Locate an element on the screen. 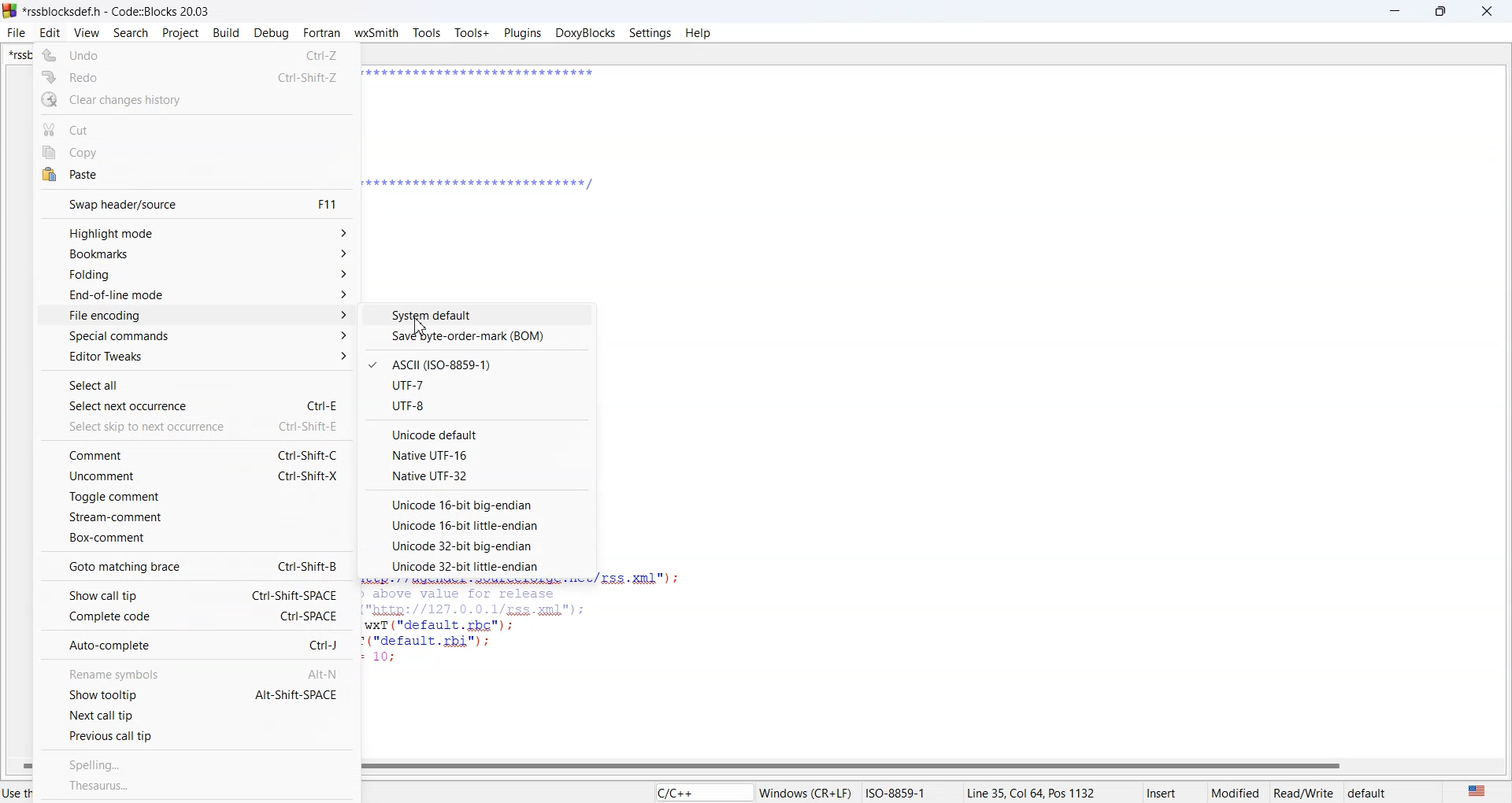 This screenshot has width=1512, height=803. Select next occurrence is located at coordinates (198, 404).